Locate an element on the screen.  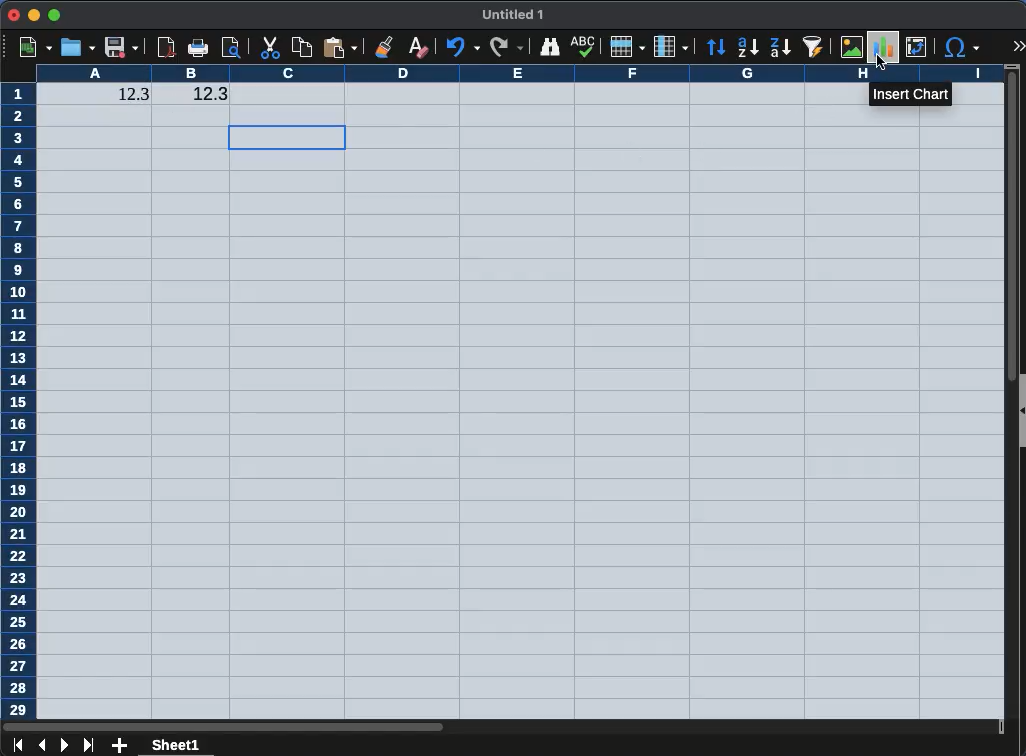
close is located at coordinates (13, 14).